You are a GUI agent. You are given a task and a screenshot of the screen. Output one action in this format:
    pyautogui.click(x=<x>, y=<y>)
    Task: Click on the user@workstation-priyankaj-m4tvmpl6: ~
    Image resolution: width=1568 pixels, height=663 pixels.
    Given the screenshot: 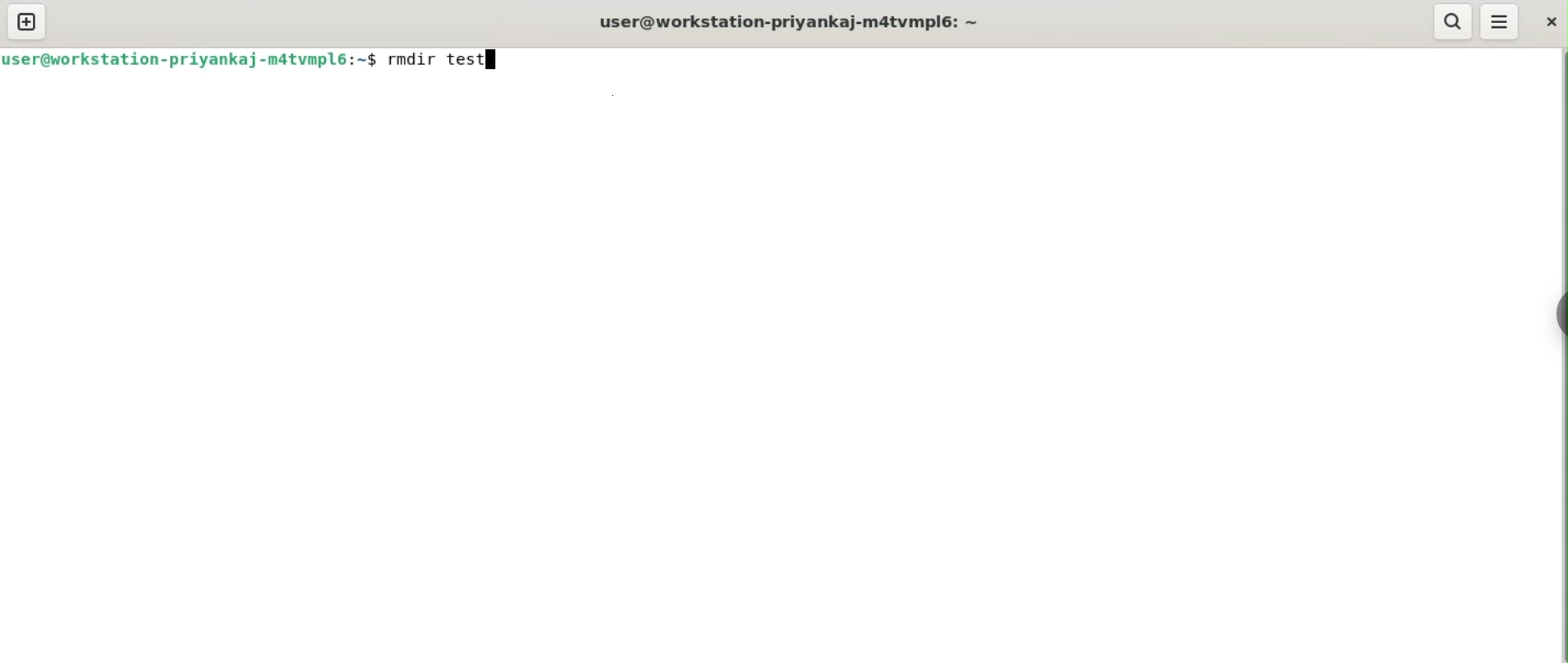 What is the action you would take?
    pyautogui.click(x=798, y=21)
    